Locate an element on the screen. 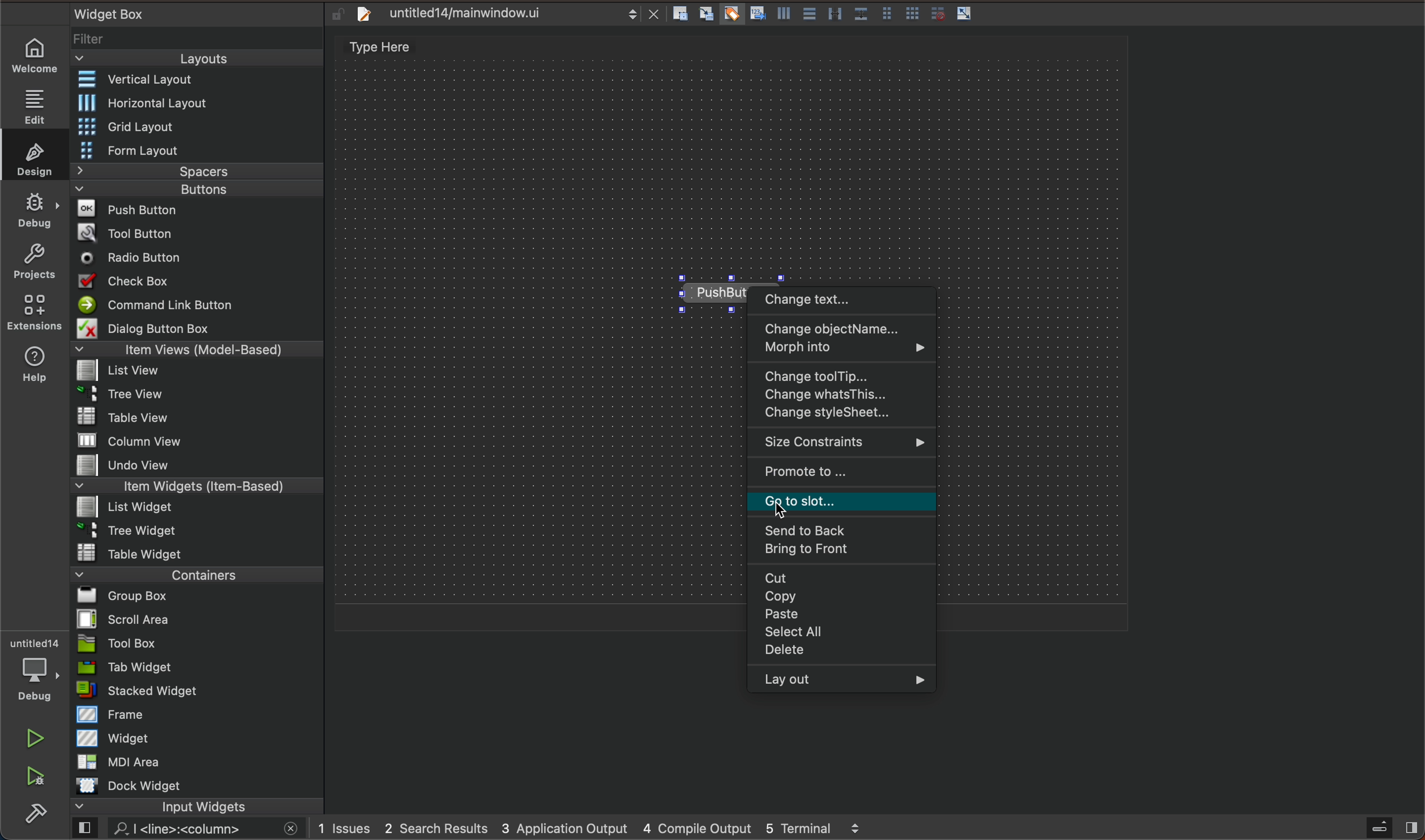  push button is located at coordinates (197, 211).